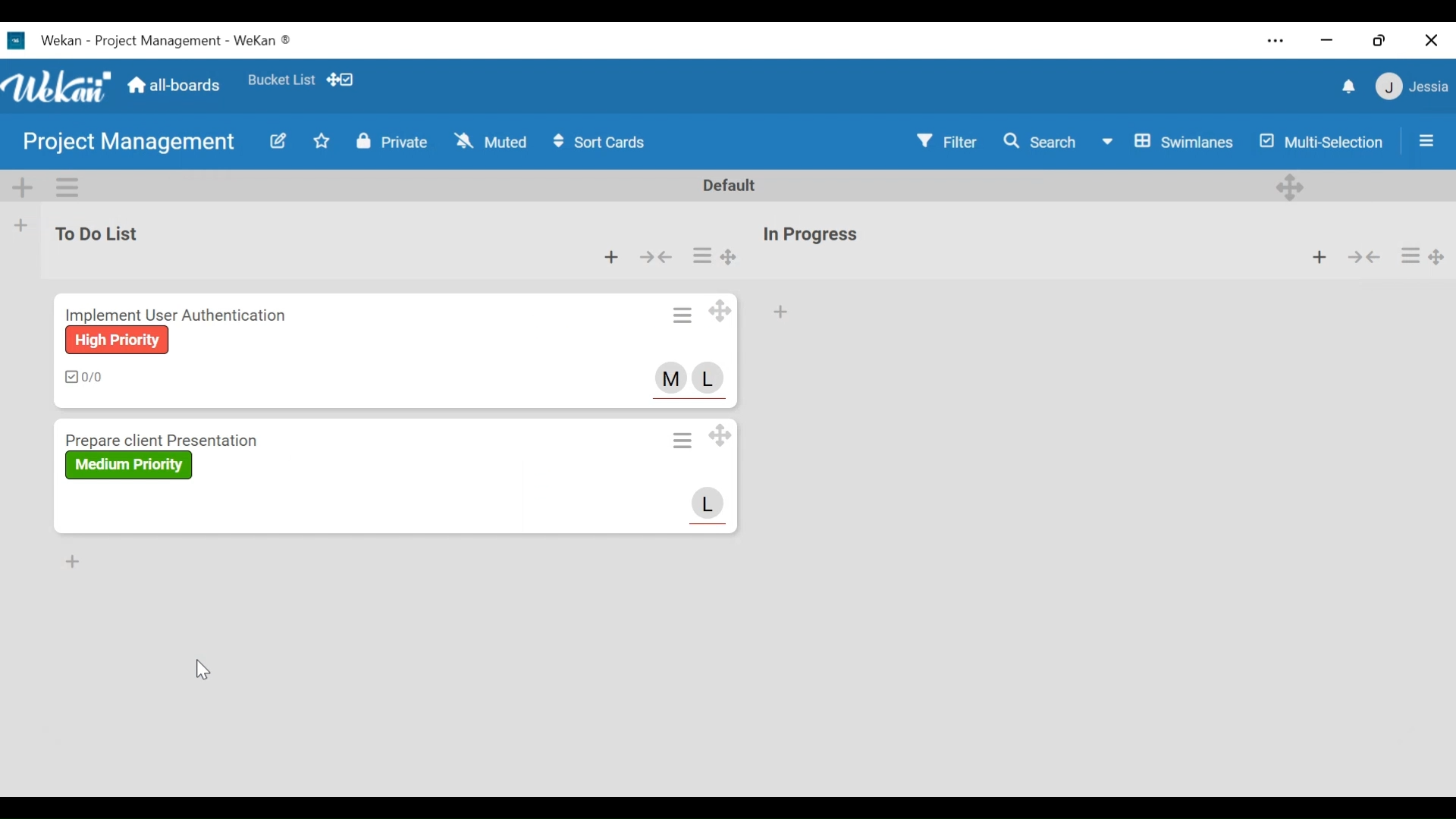 Image resolution: width=1456 pixels, height=819 pixels. Describe the element at coordinates (682, 441) in the screenshot. I see `card actions` at that location.